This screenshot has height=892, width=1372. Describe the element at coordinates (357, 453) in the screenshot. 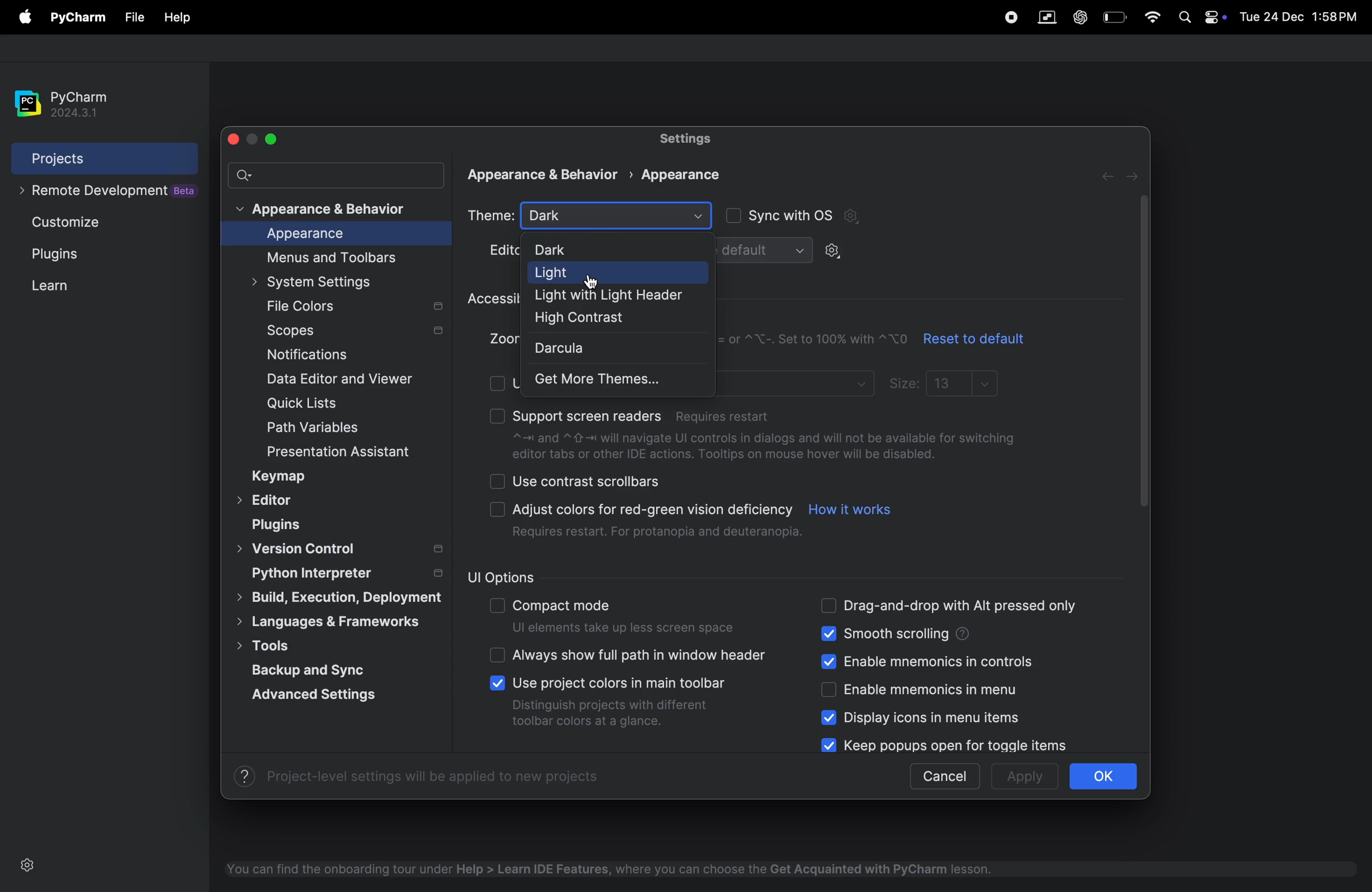

I see `presentation assistant` at that location.